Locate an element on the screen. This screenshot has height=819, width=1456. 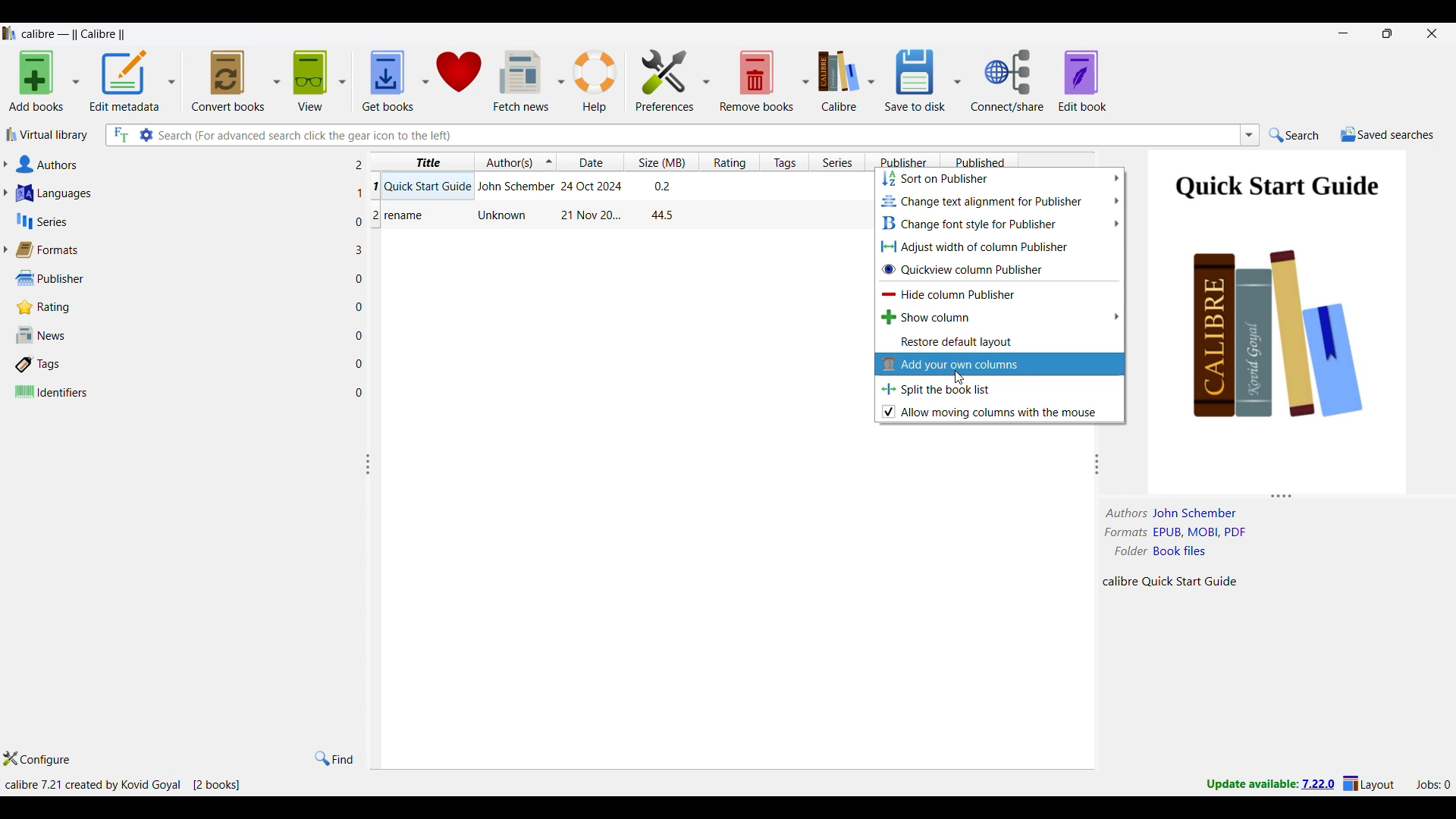
0 is located at coordinates (364, 309).